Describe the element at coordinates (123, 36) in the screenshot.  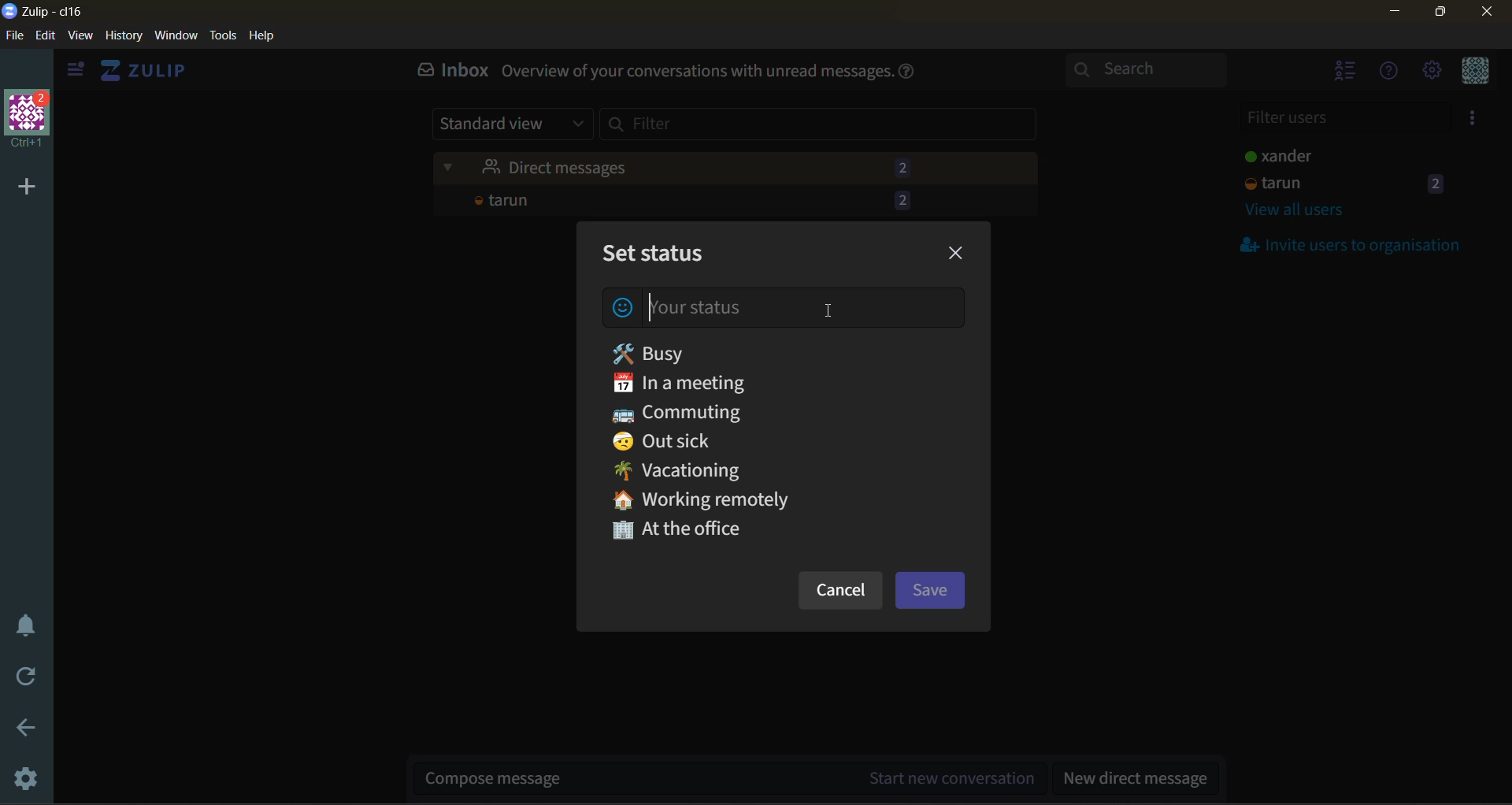
I see `history` at that location.